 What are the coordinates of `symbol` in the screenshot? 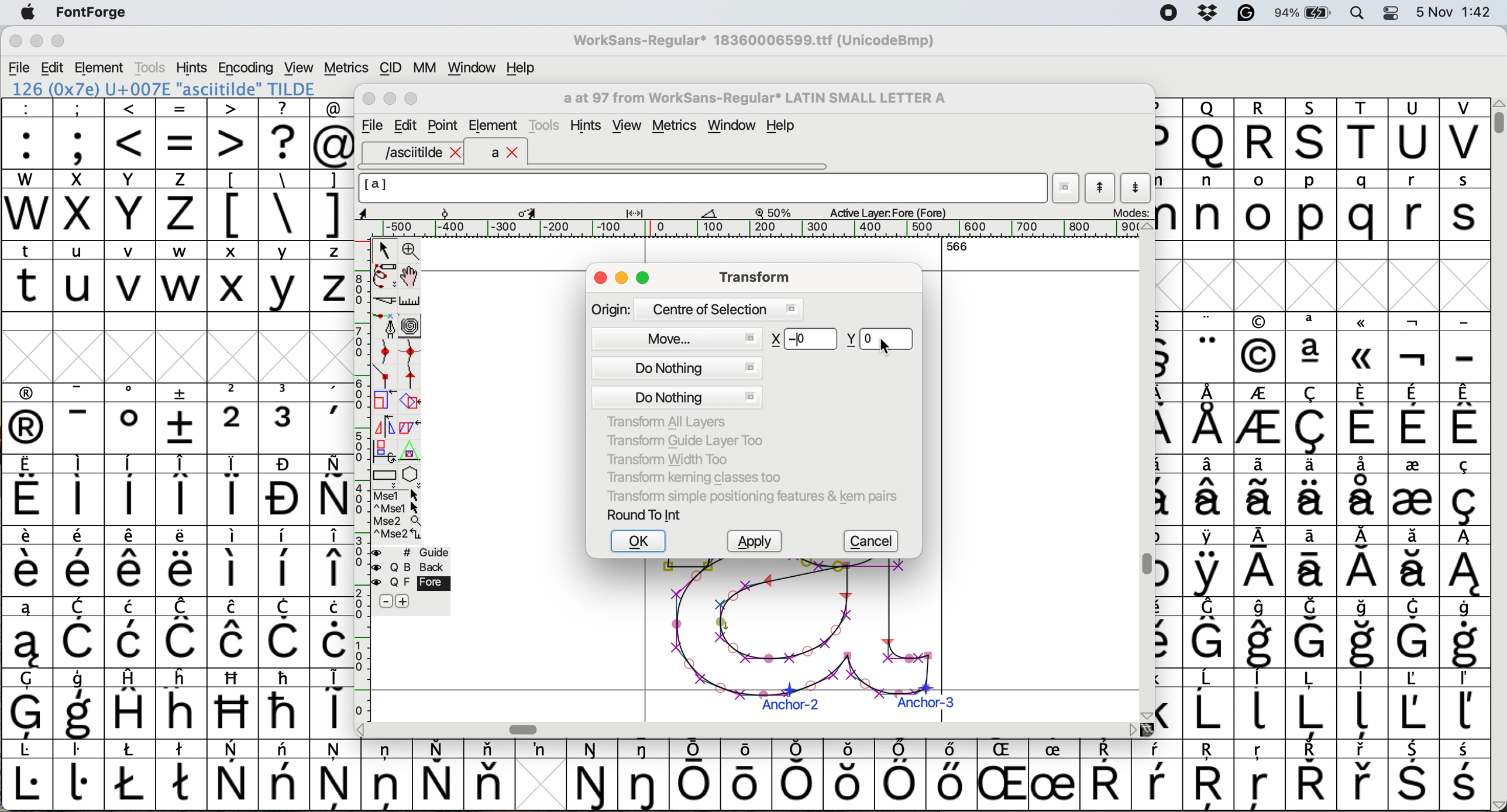 It's located at (800, 774).